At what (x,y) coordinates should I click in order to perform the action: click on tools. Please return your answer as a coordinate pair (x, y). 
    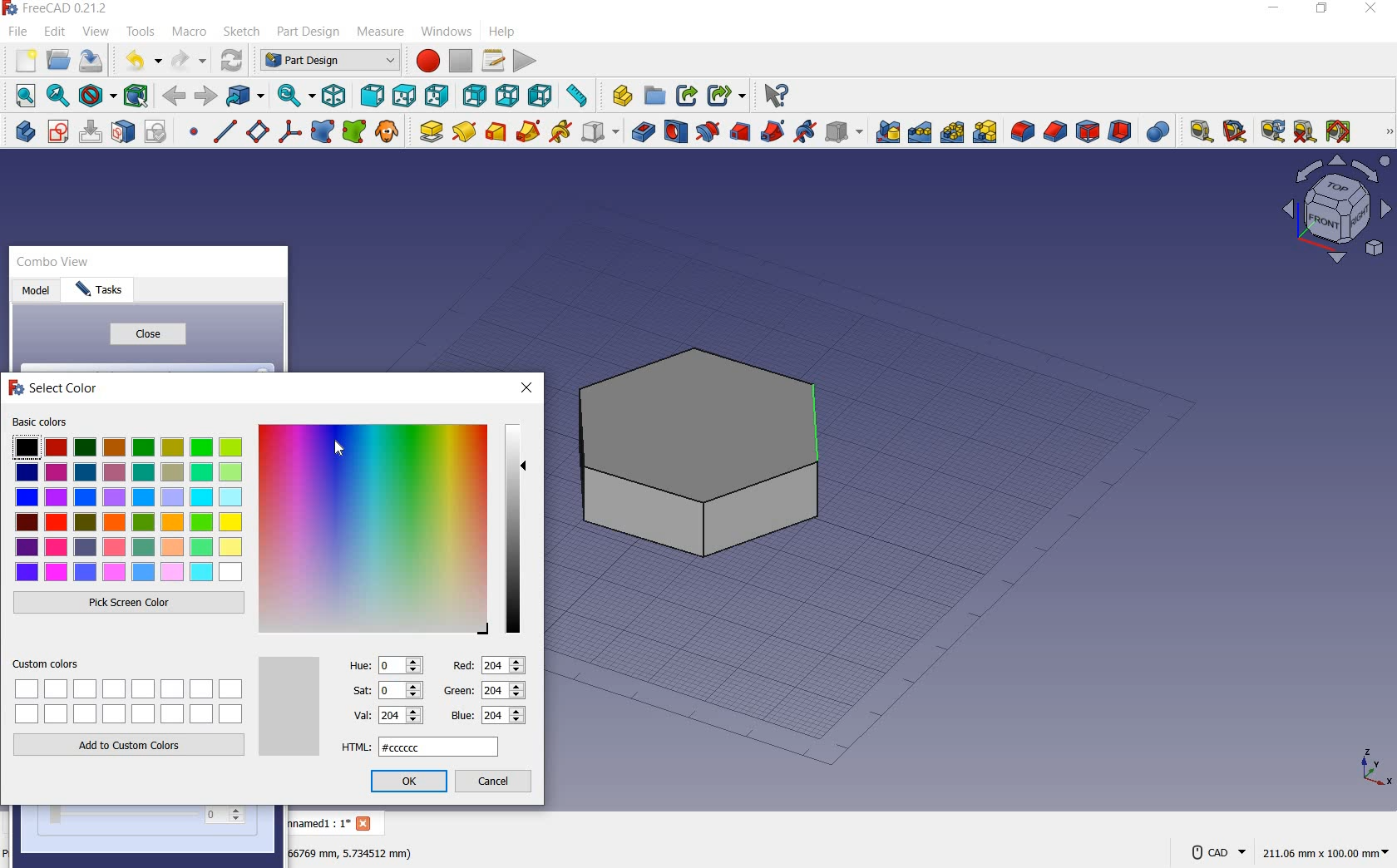
    Looking at the image, I should click on (142, 33).